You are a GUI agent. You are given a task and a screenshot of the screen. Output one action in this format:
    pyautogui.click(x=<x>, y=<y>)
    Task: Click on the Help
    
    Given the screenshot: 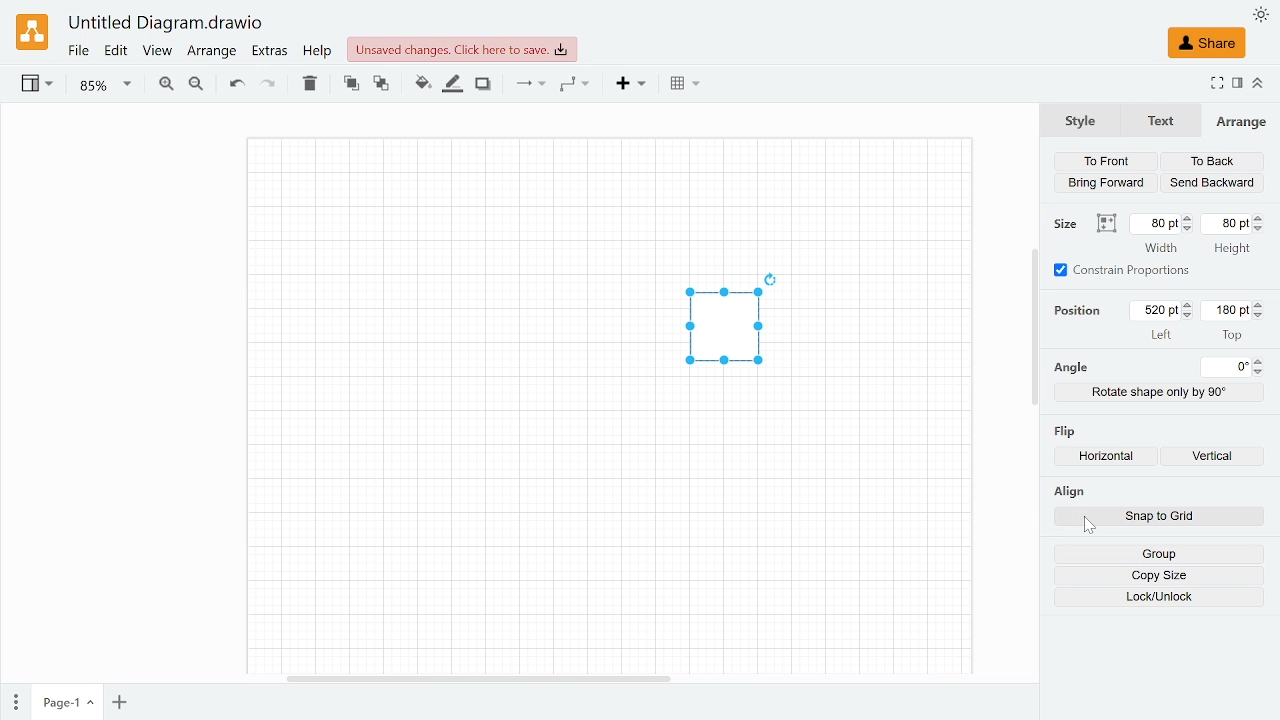 What is the action you would take?
    pyautogui.click(x=318, y=51)
    